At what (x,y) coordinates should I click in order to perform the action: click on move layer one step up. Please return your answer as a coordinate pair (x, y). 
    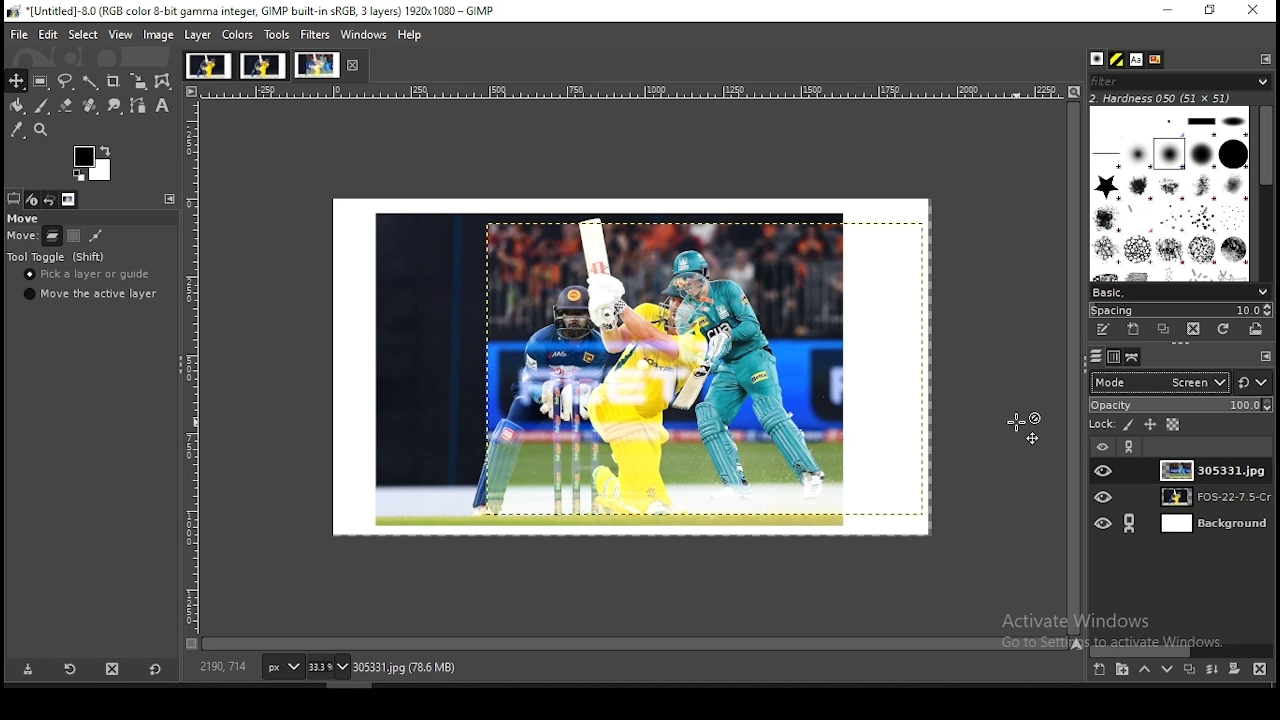
    Looking at the image, I should click on (1146, 669).